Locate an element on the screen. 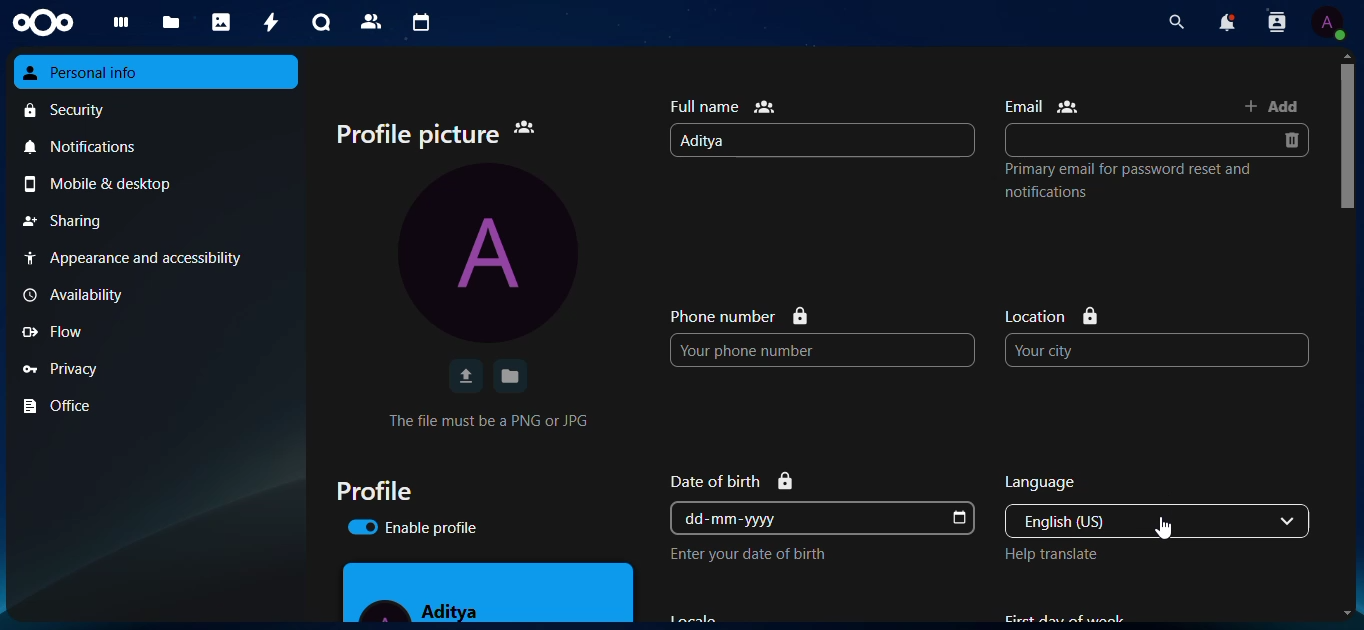 This screenshot has height=630, width=1364. notifications is located at coordinates (90, 149).